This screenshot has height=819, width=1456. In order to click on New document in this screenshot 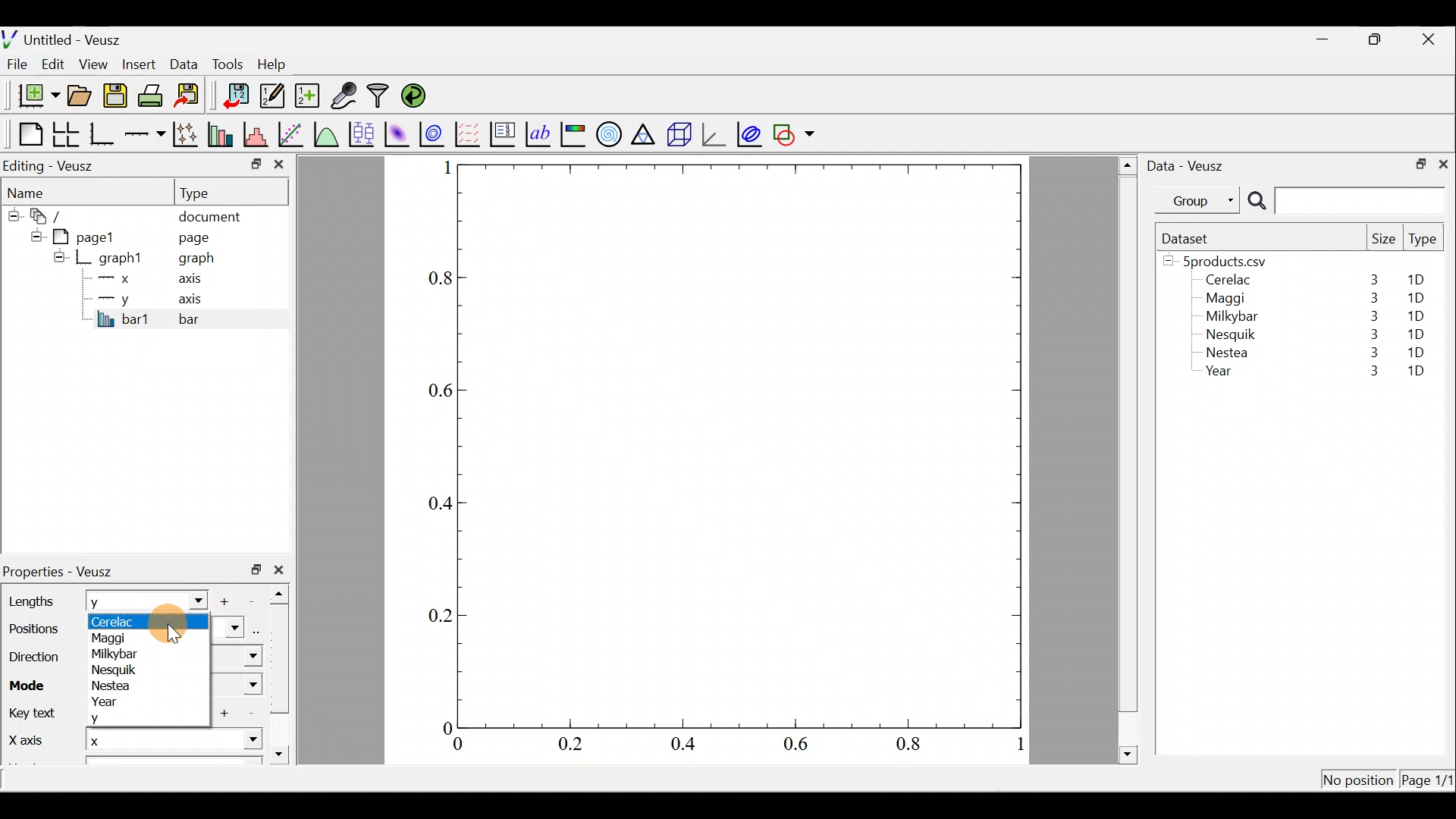, I will do `click(33, 96)`.